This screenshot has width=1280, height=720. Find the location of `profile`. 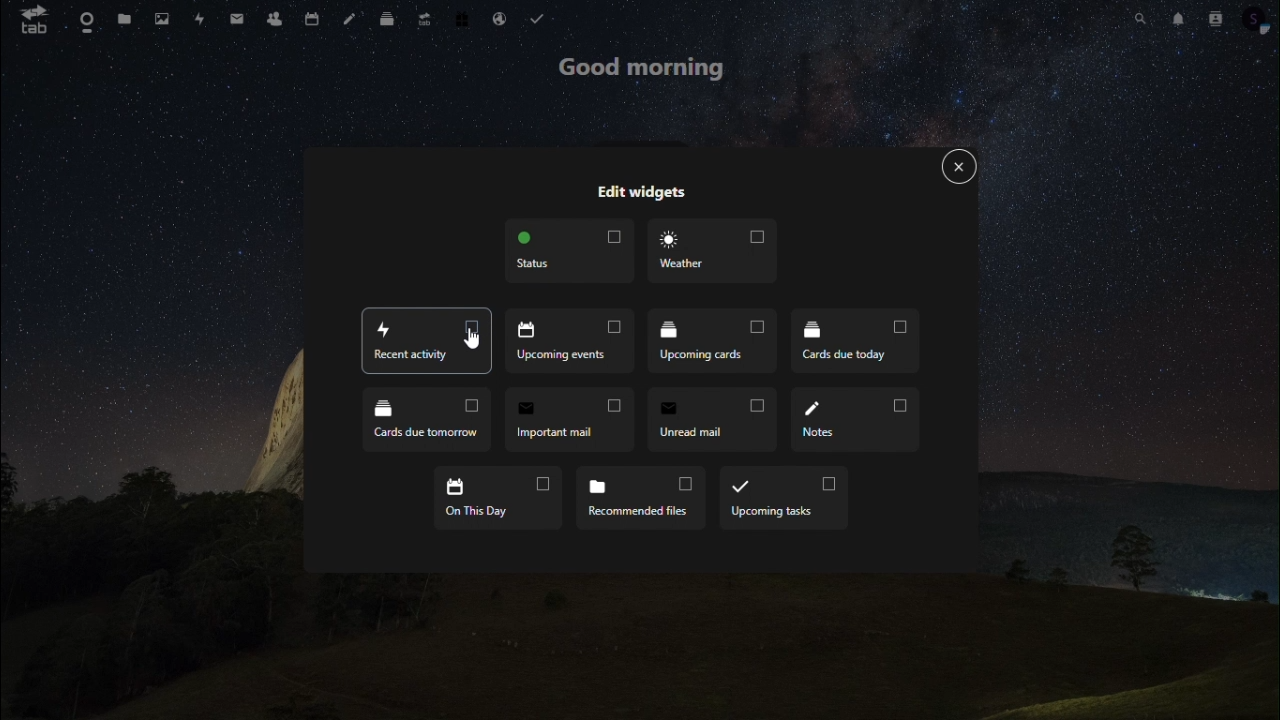

profile is located at coordinates (1261, 28).